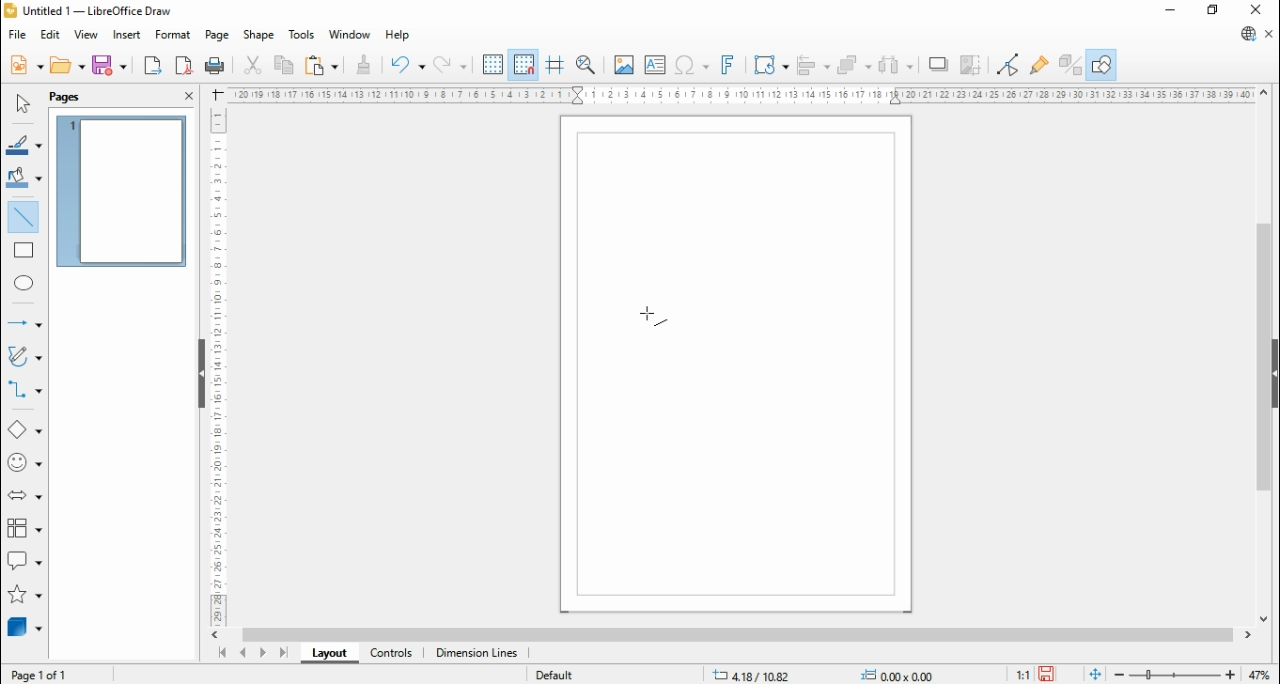 This screenshot has height=684, width=1280. I want to click on line color, so click(24, 145).